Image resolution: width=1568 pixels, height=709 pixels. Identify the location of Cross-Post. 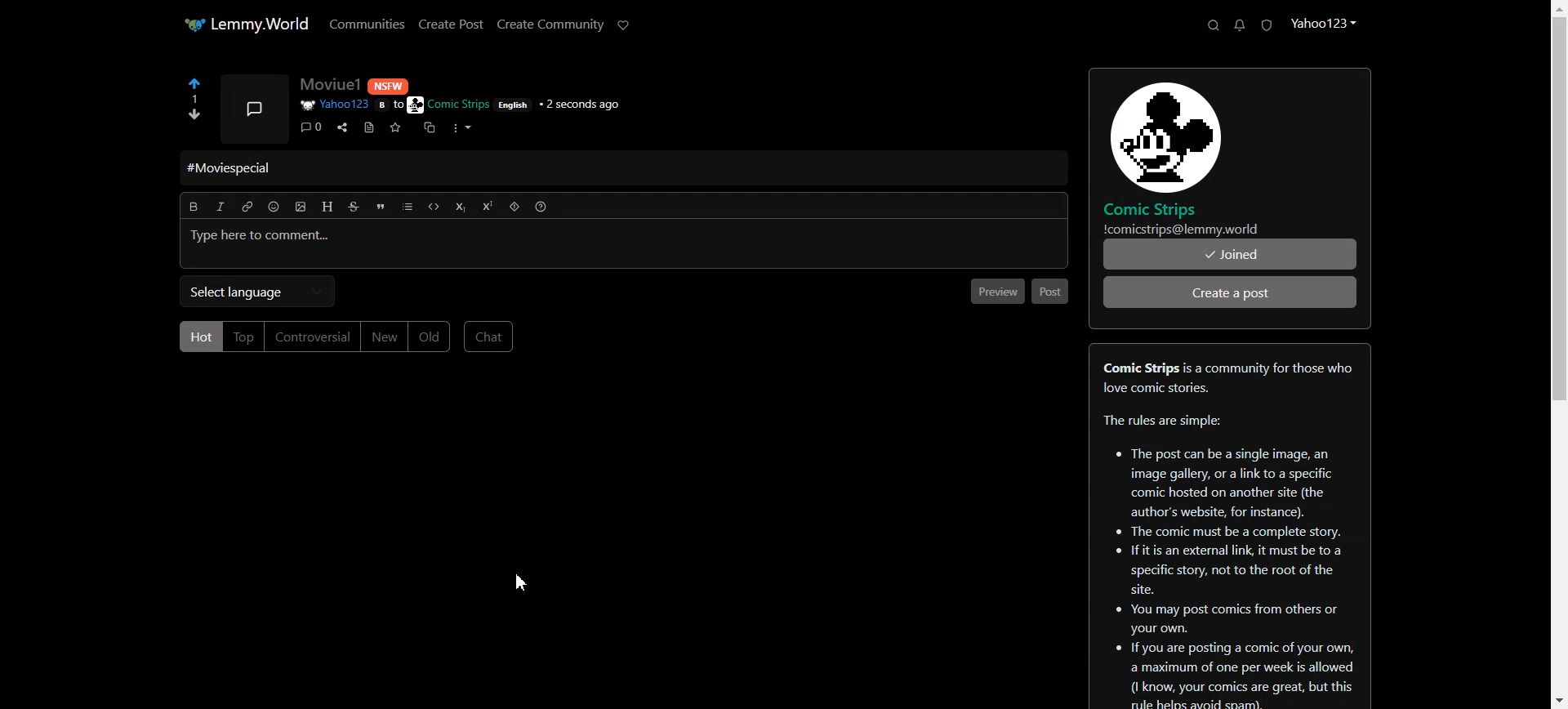
(430, 128).